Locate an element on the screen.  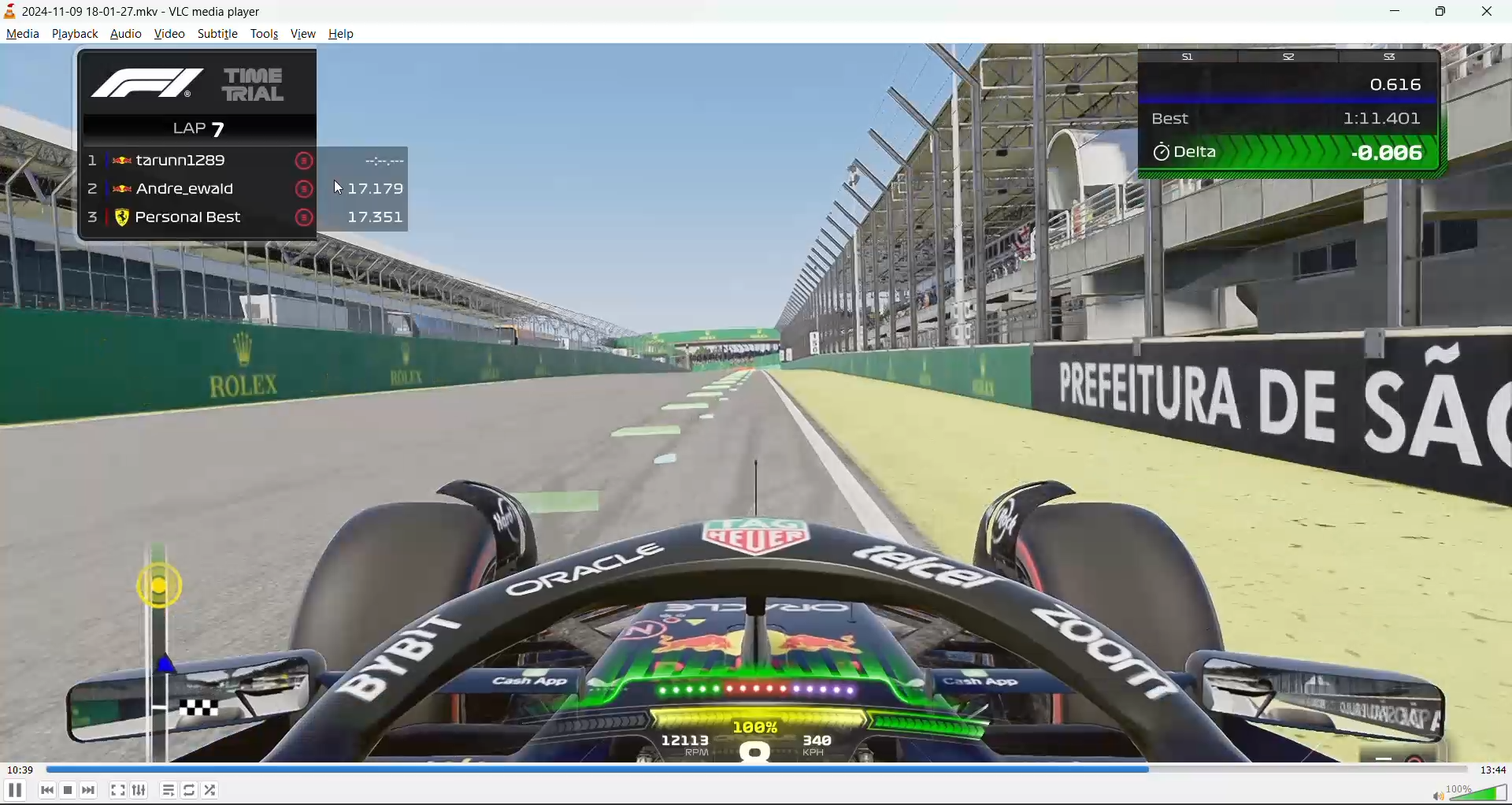
pause is located at coordinates (15, 792).